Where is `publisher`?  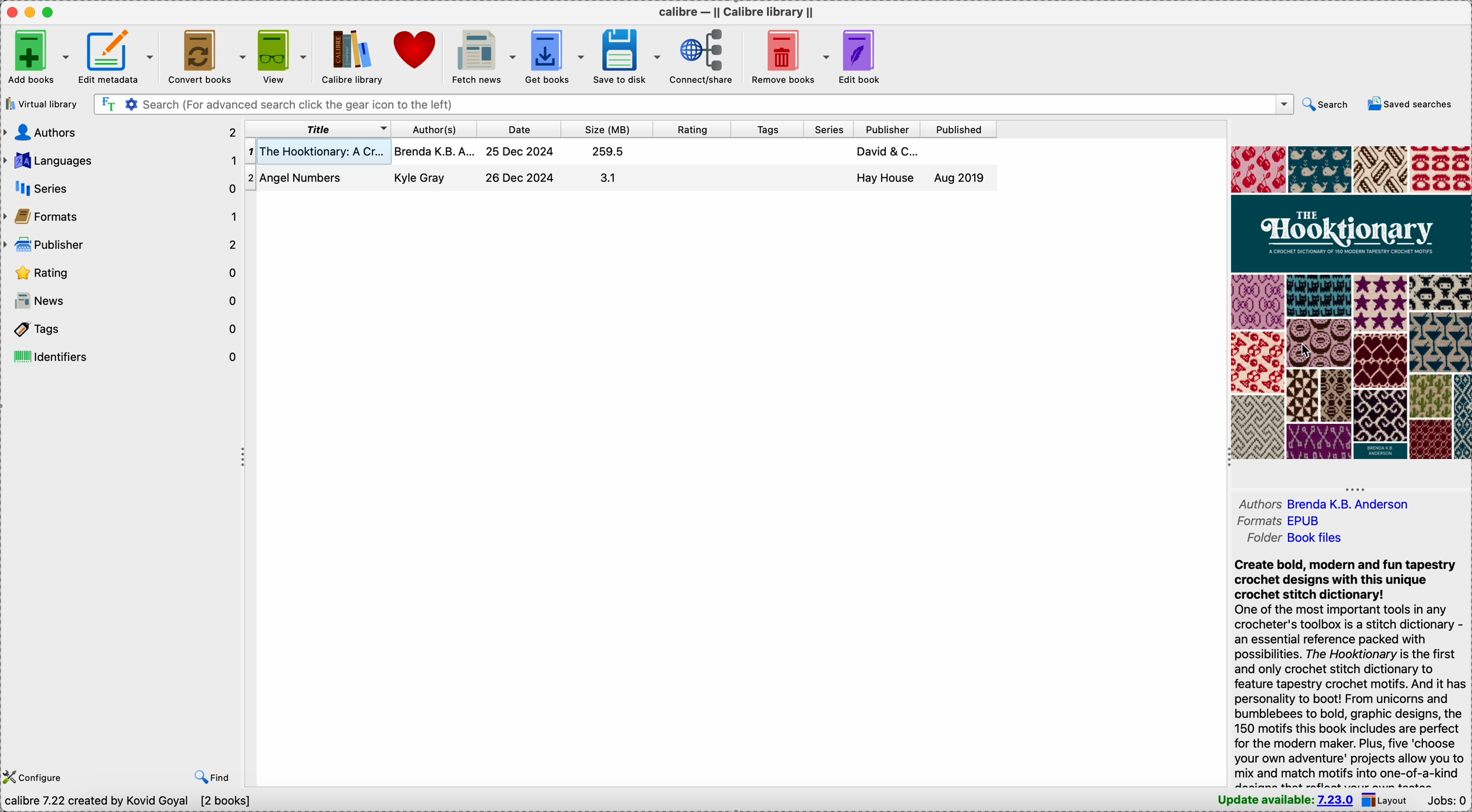
publisher is located at coordinates (885, 130).